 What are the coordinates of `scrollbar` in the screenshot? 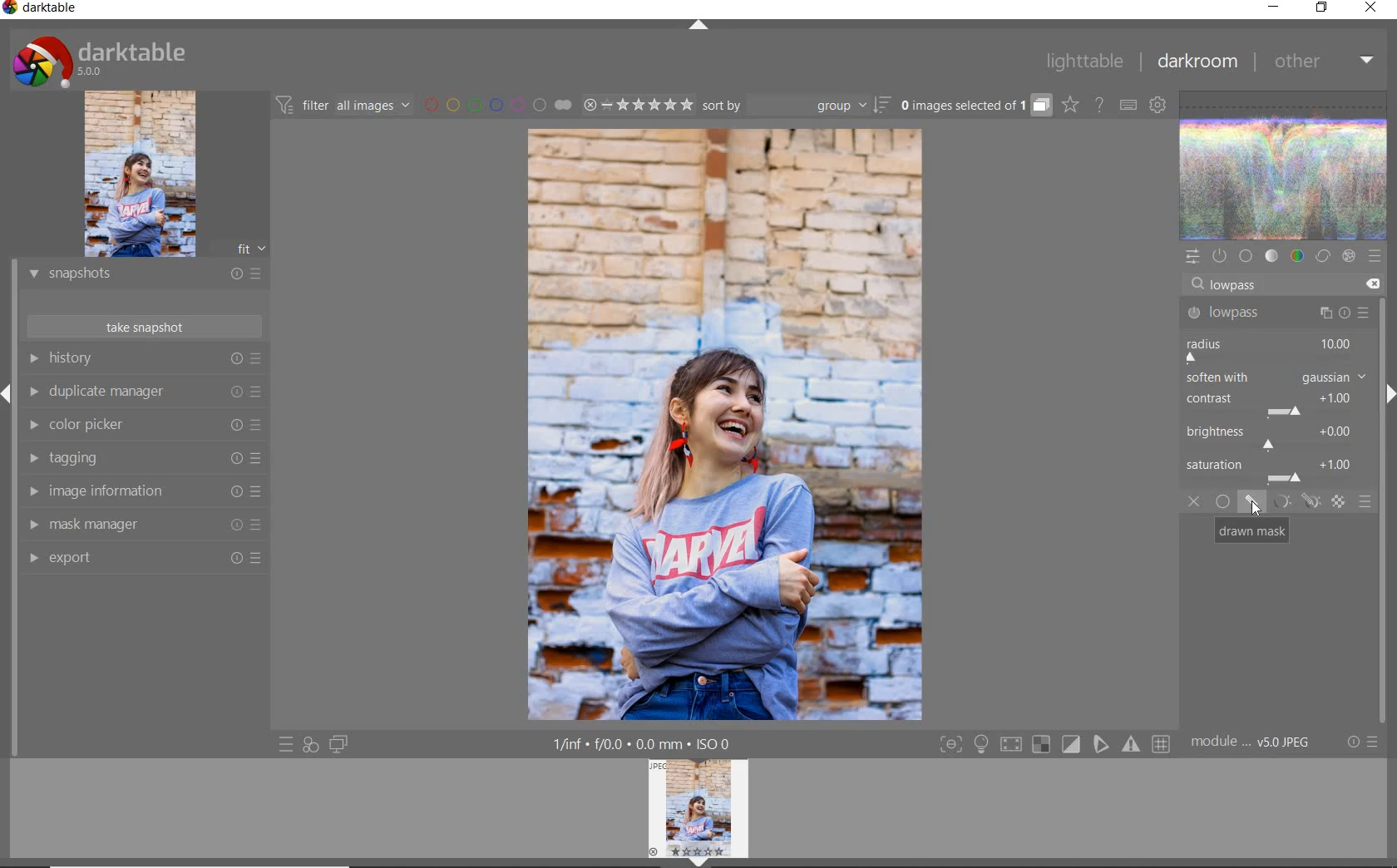 It's located at (1383, 447).